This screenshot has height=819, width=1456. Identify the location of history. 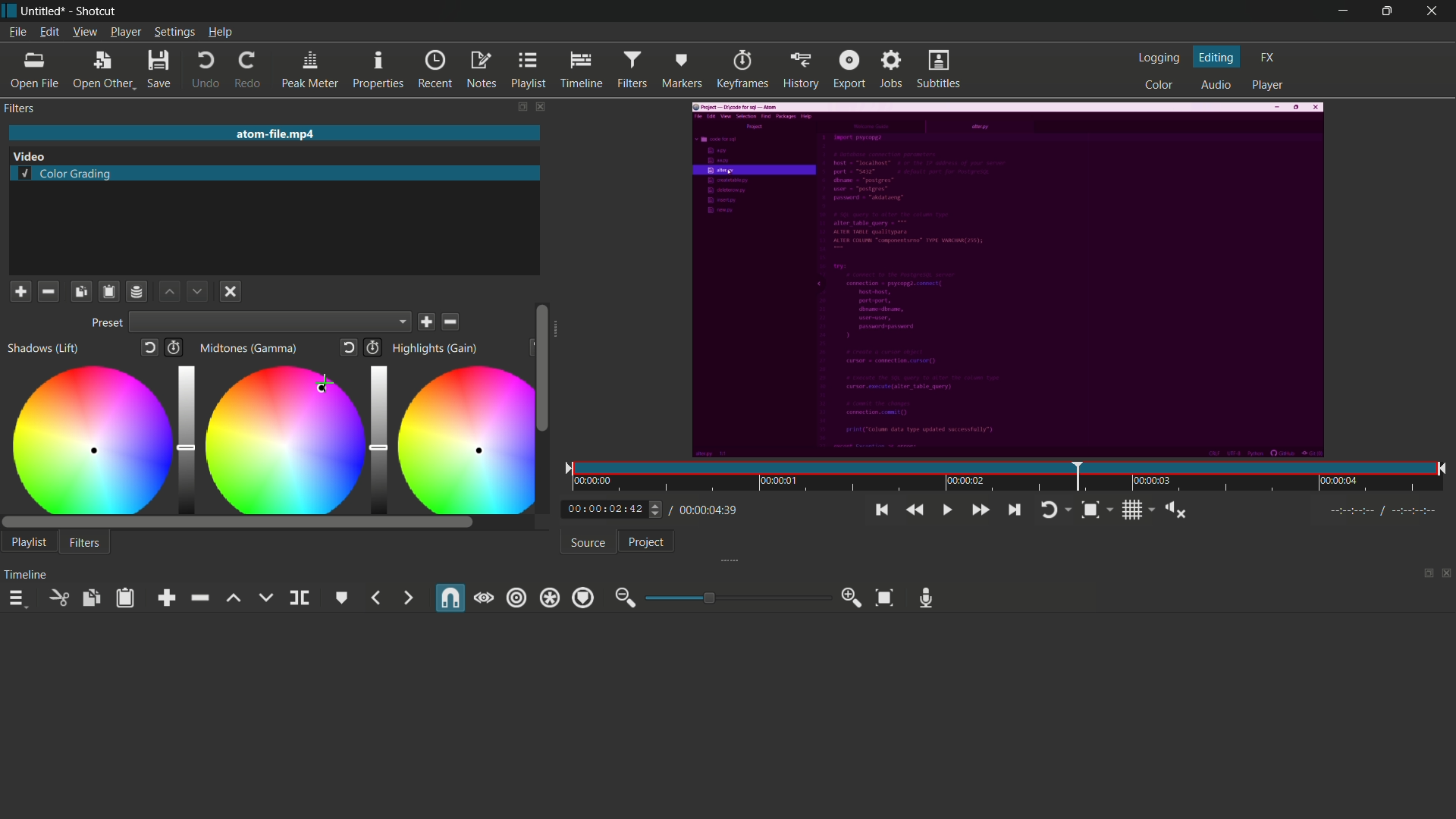
(800, 69).